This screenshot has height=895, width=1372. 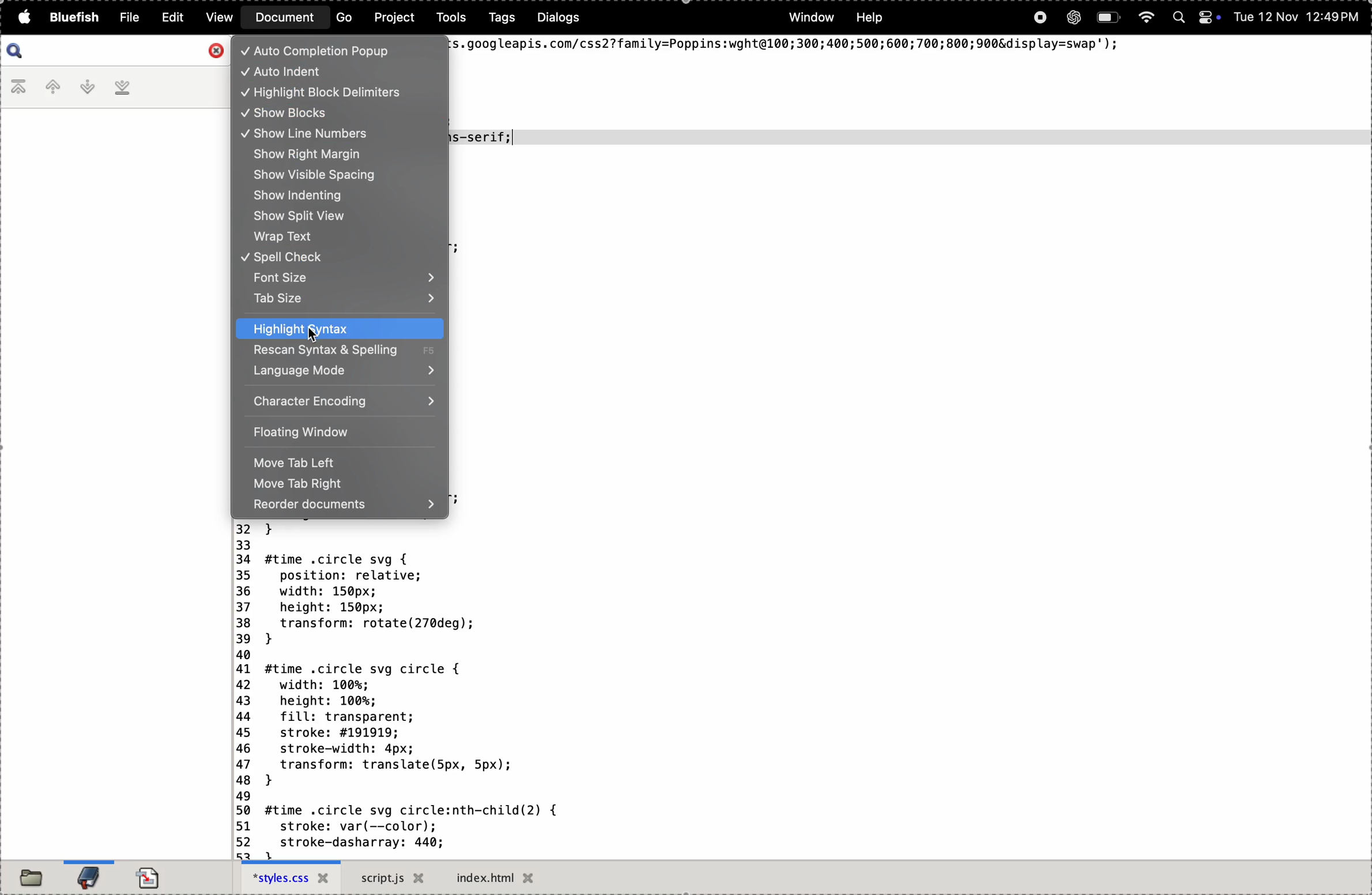 I want to click on tools, so click(x=448, y=19).